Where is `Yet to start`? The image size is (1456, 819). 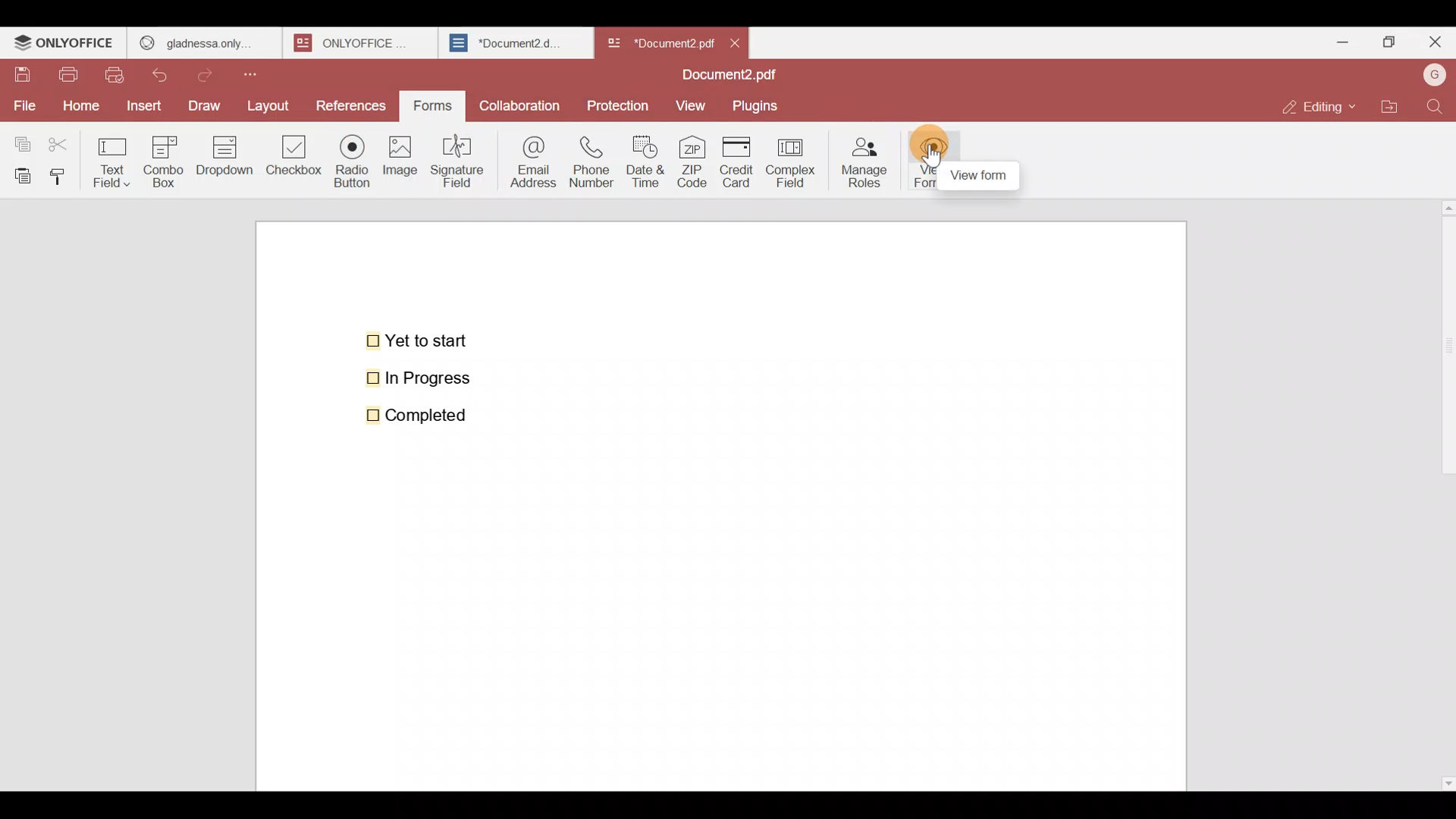 Yet to start is located at coordinates (420, 339).